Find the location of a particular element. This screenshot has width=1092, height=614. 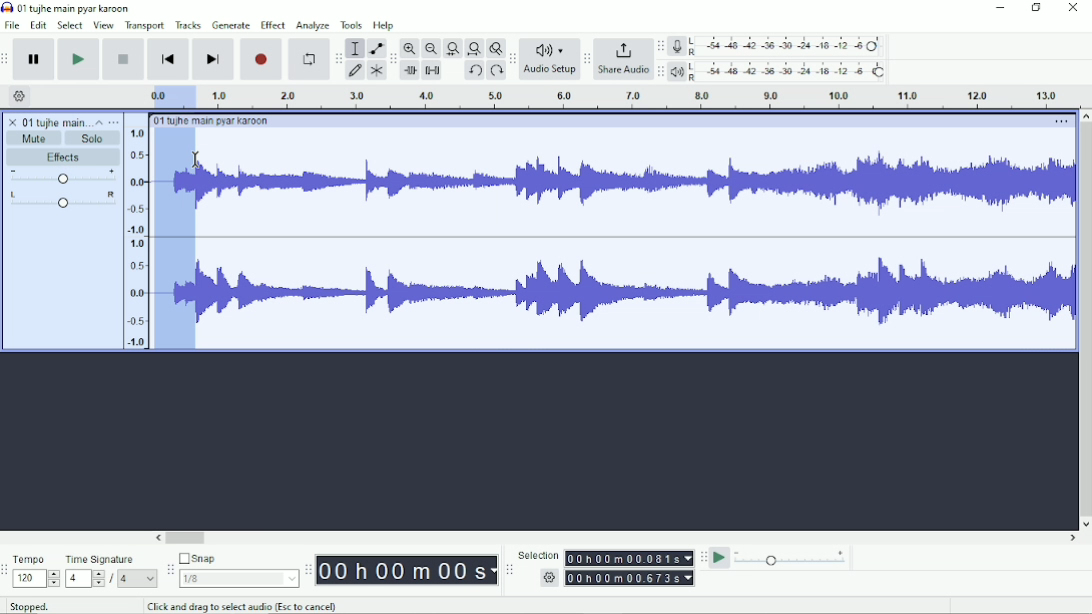

Pan is located at coordinates (62, 201).